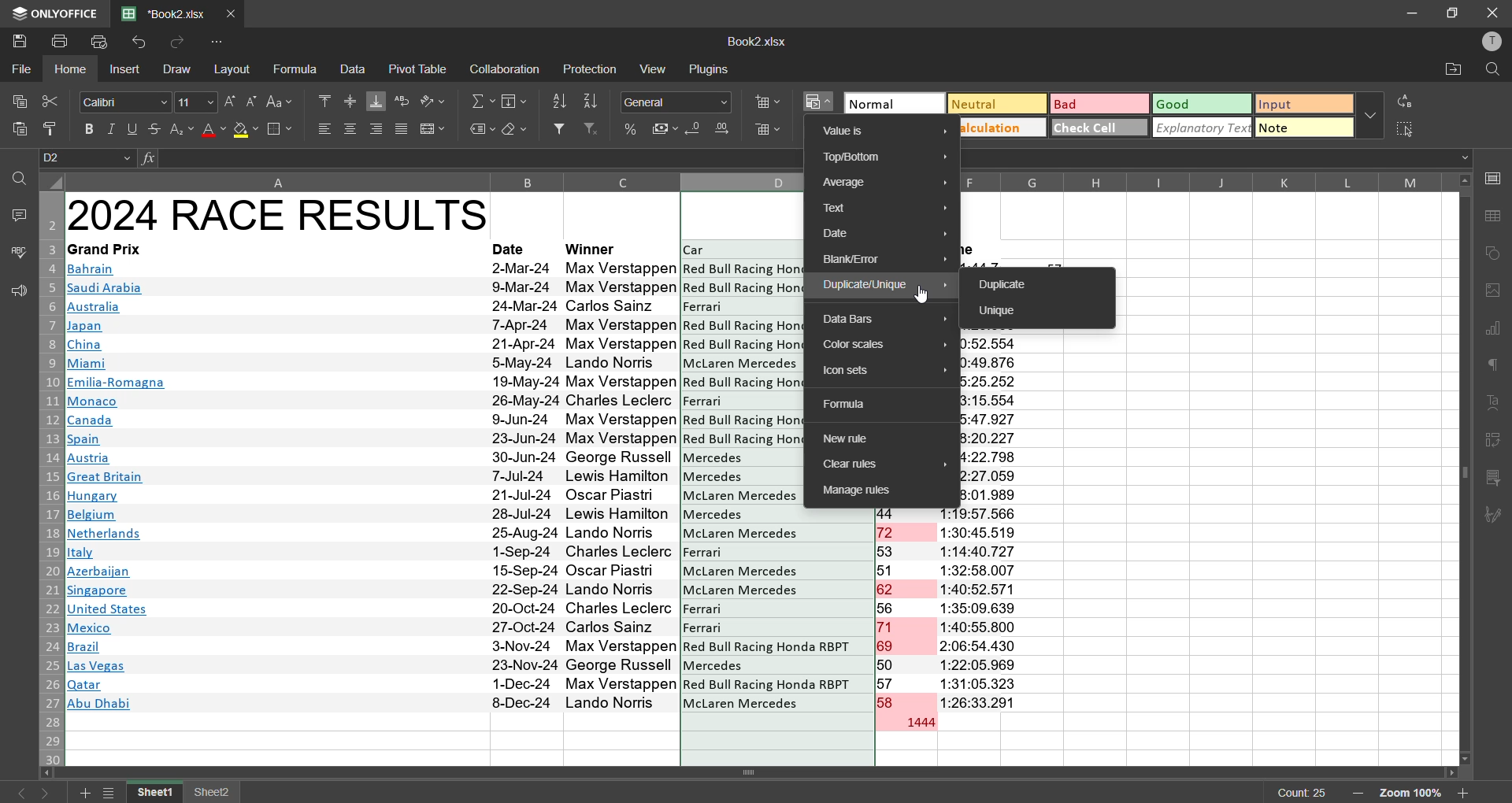  I want to click on font color, so click(213, 129).